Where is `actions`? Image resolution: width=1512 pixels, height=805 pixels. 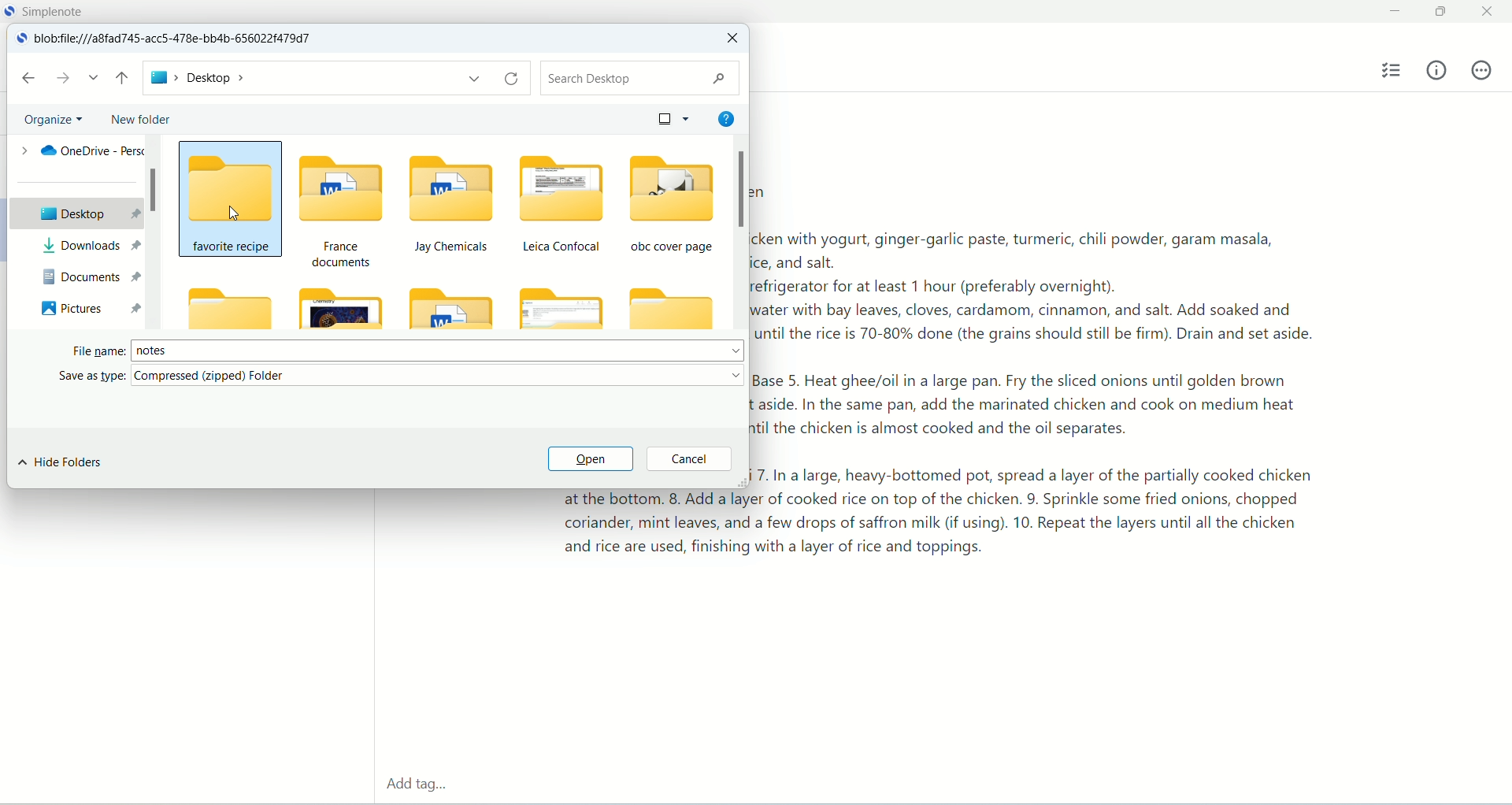
actions is located at coordinates (1481, 70).